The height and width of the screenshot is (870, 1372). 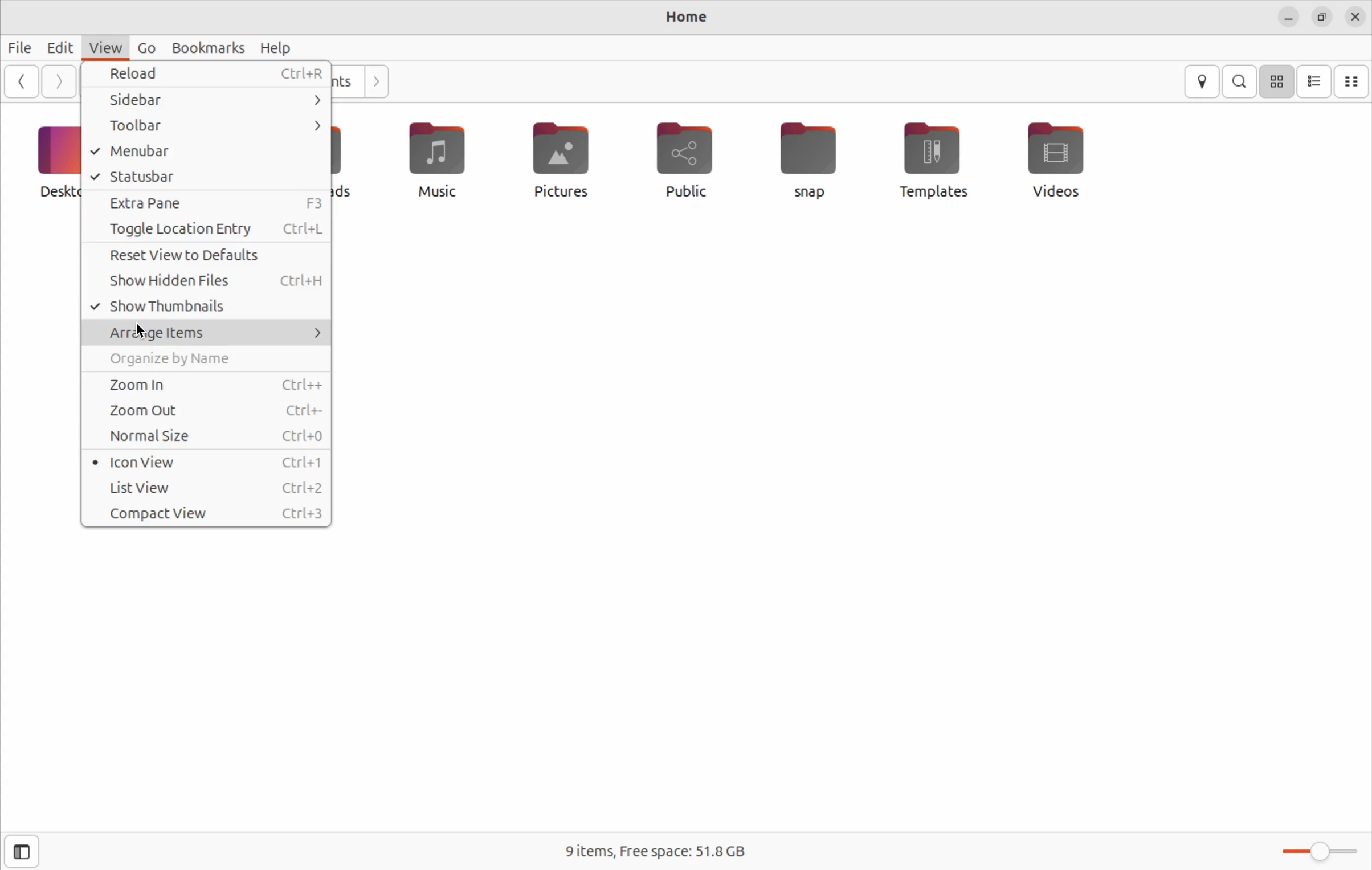 What do you see at coordinates (103, 47) in the screenshot?
I see `view` at bounding box center [103, 47].